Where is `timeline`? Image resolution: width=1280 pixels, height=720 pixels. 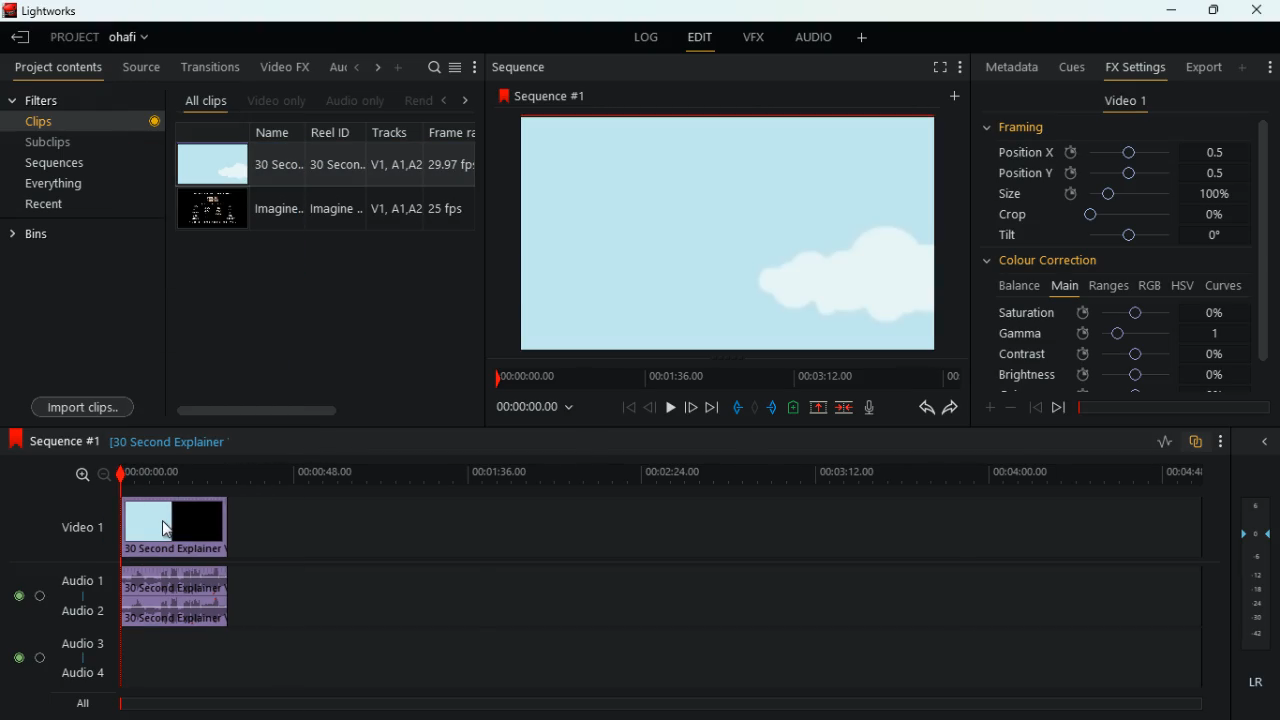
timeline is located at coordinates (1170, 405).